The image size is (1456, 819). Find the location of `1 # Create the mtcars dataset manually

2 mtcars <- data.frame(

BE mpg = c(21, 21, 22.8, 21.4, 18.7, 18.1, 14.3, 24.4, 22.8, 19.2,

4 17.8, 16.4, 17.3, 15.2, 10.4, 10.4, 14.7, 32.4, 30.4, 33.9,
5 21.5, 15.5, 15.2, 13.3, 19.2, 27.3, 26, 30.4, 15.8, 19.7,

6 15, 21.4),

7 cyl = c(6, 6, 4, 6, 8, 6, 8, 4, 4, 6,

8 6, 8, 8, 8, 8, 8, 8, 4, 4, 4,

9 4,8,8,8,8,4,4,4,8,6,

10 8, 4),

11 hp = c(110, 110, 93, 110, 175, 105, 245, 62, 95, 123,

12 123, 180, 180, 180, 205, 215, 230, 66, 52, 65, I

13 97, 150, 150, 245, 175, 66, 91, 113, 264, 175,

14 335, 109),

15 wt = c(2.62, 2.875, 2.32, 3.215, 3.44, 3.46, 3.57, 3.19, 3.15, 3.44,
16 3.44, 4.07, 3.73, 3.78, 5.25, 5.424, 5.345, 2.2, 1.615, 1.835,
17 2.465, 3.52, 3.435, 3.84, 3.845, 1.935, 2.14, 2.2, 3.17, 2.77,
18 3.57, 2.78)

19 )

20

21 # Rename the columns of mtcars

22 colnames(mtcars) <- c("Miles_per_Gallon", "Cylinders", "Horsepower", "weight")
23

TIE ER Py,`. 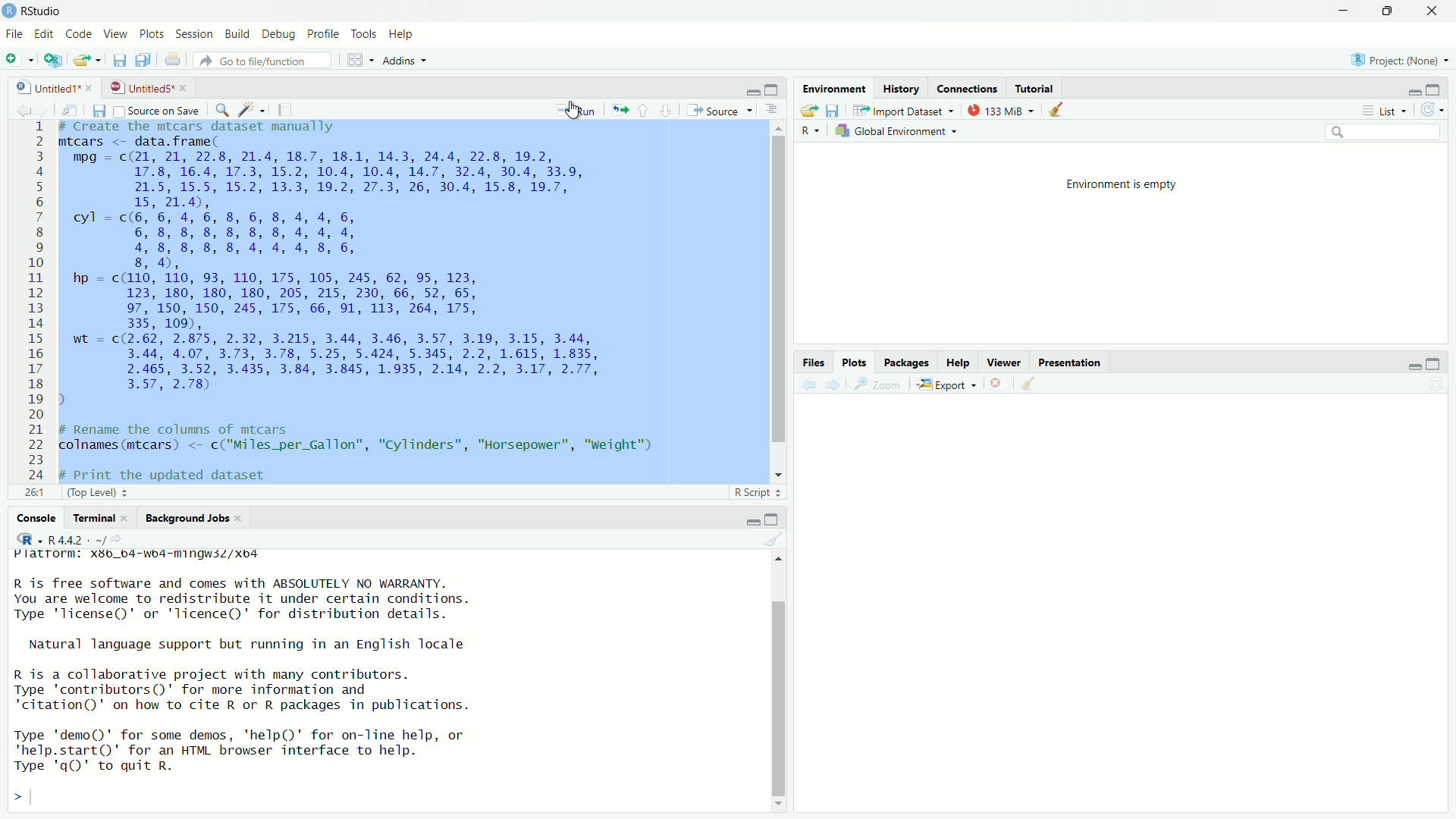

1 # Create the mtcars dataset manually

2 mtcars <- data.frame(

BE mpg = c(21, 21, 22.8, 21.4, 18.7, 18.1, 14.3, 24.4, 22.8, 19.2,

4 17.8, 16.4, 17.3, 15.2, 10.4, 10.4, 14.7, 32.4, 30.4, 33.9,
5 21.5, 15.5, 15.2, 13.3, 19.2, 27.3, 26, 30.4, 15.8, 19.7,

6 15, 21.4),

7 cyl = c(6, 6, 4, 6, 8, 6, 8, 4, 4, 6,

8 6, 8, 8, 8, 8, 8, 8, 4, 4, 4,

9 4,8,8,8,8,4,4,4,8,6,

10 8, 4),

11 hp = c(110, 110, 93, 110, 175, 105, 245, 62, 95, 123,

12 123, 180, 180, 180, 205, 215, 230, 66, 52, 65, I

13 97, 150, 150, 245, 175, 66, 91, 113, 264, 175,

14 335, 109),

15 wt = c(2.62, 2.875, 2.32, 3.215, 3.44, 3.46, 3.57, 3.19, 3.15, 3.44,
16 3.44, 4.07, 3.73, 3.78, 5.25, 5.424, 5.345, 2.2, 1.615, 1.835,
17 2.465, 3.52, 3.435, 3.84, 3.845, 1.935, 2.14, 2.2, 3.17, 2.77,
18 3.57, 2.78)

19 )

20

21 # Rename the columns of mtcars

22 colnames(mtcars) <- c("Miles_per_Gallon", "Cylinders", "Horsepower", "weight")
23

TIE ER Py, is located at coordinates (364, 303).